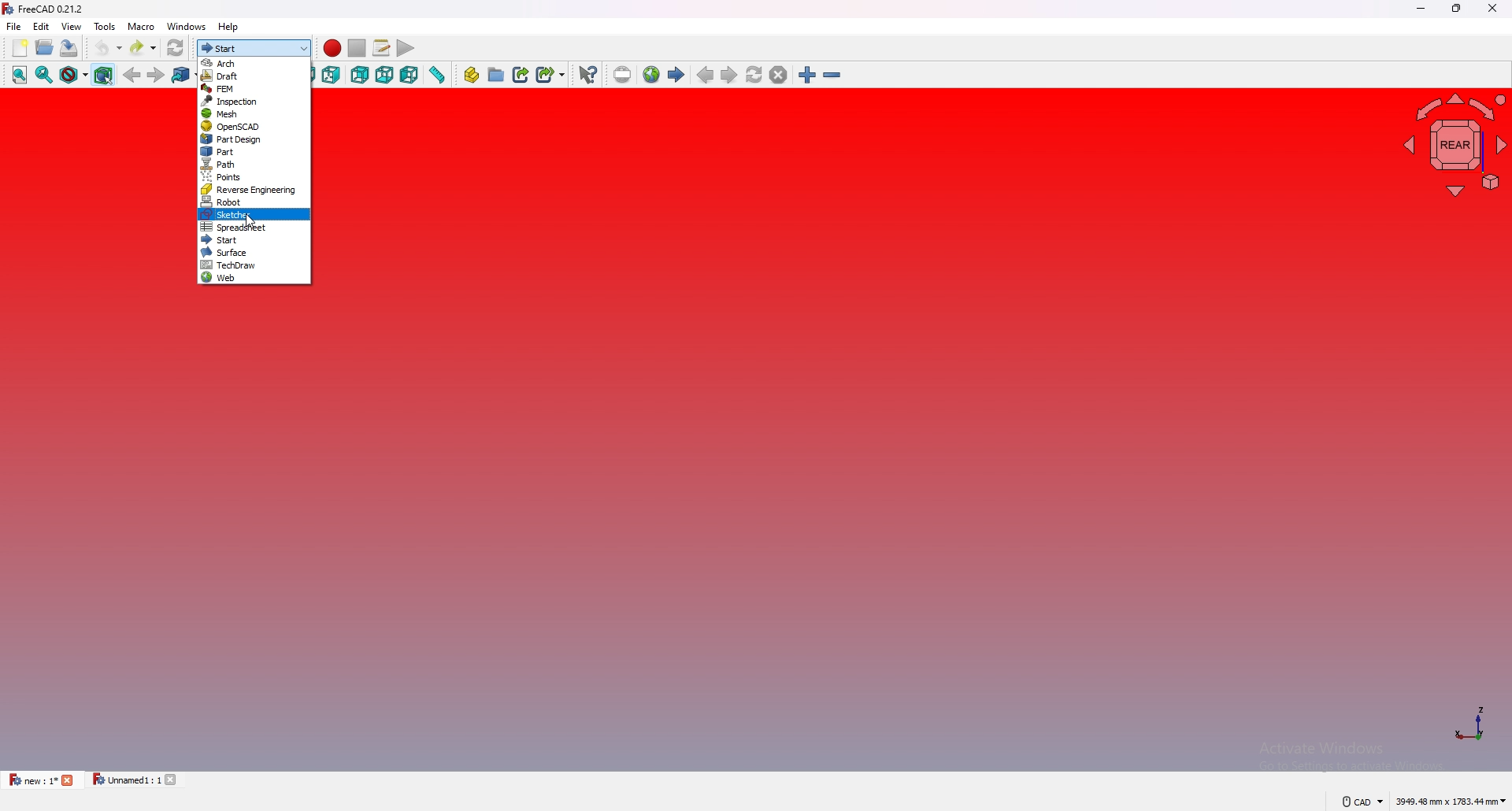 The width and height of the screenshot is (1512, 811). What do you see at coordinates (18, 48) in the screenshot?
I see `new` at bounding box center [18, 48].